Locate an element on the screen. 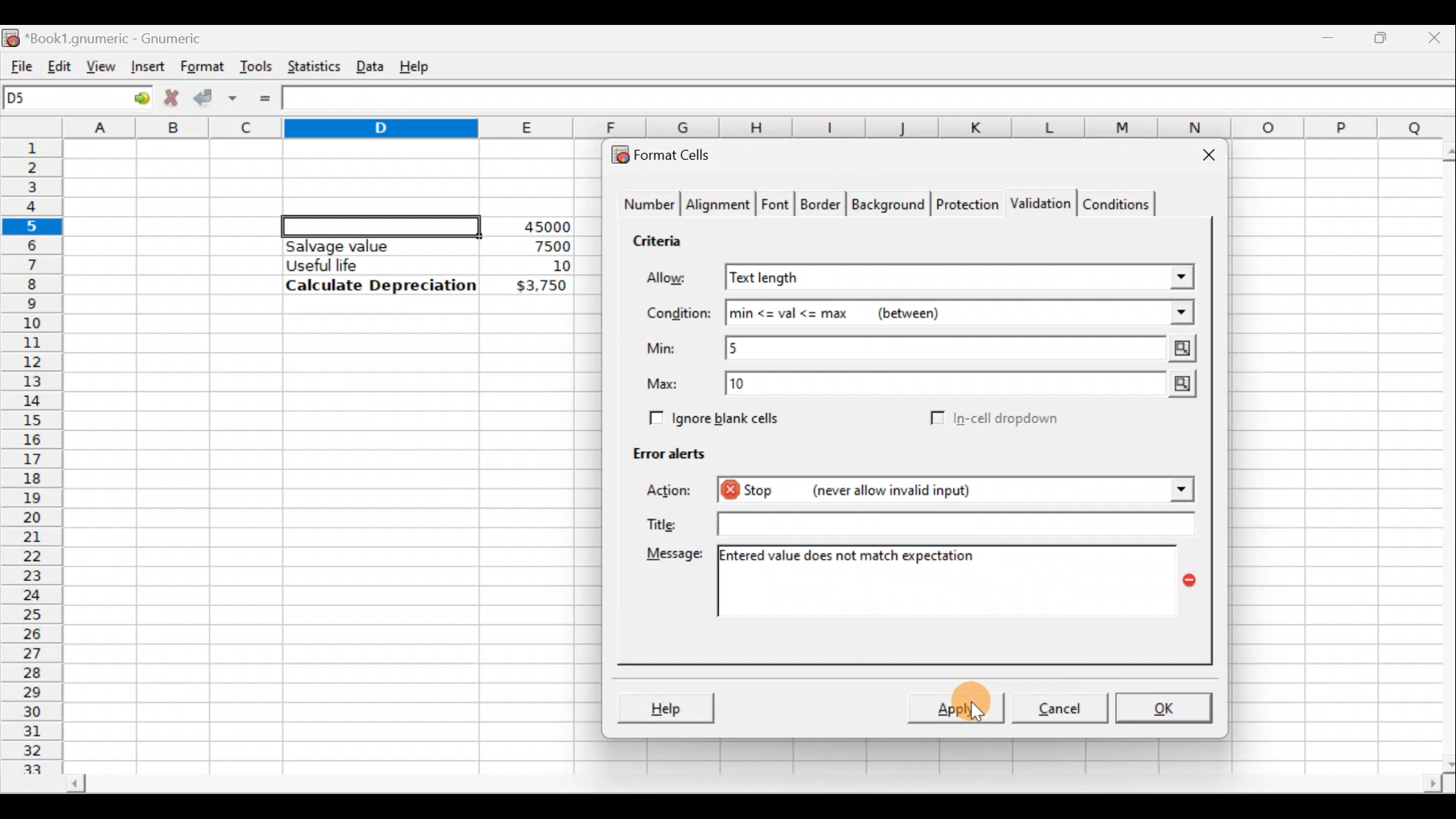  Format is located at coordinates (201, 67).